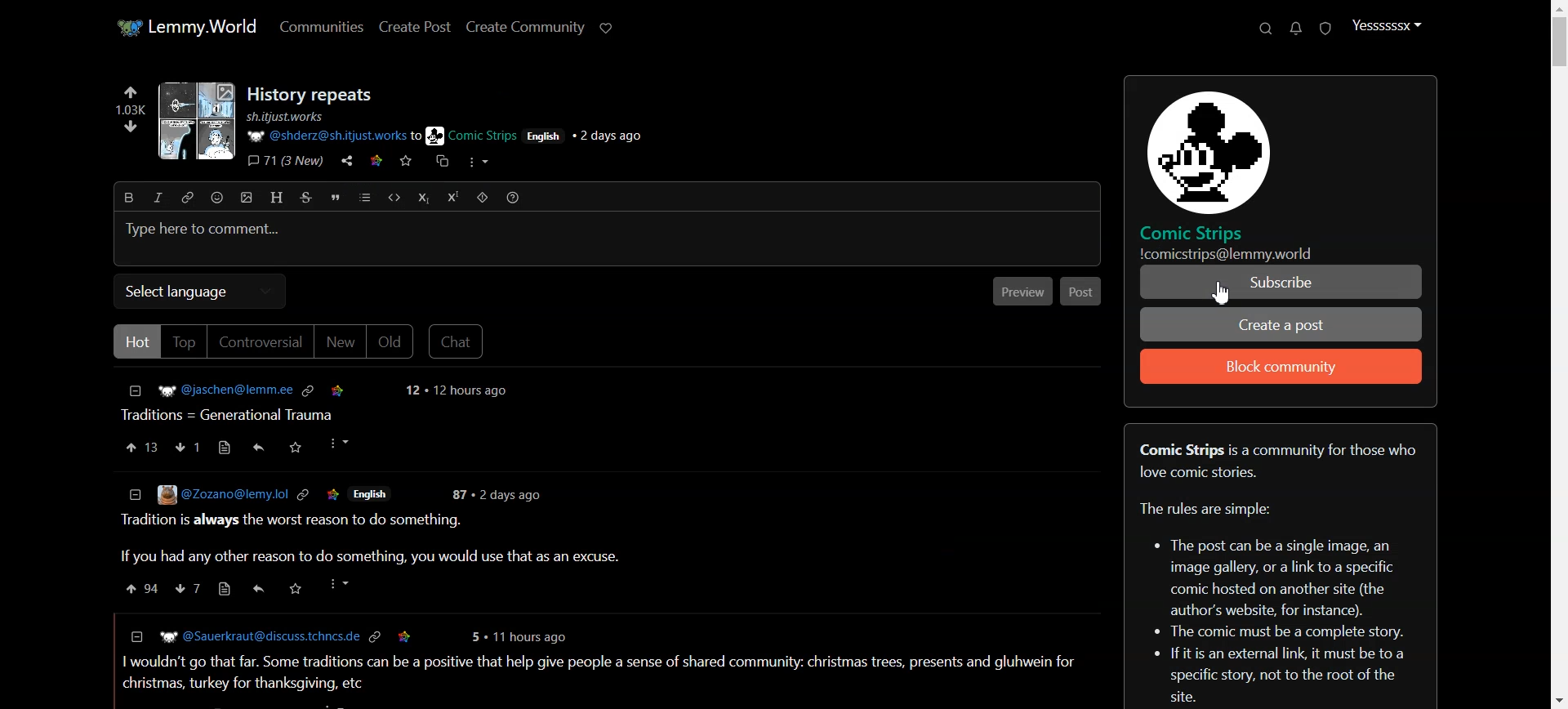 This screenshot has width=1568, height=709. What do you see at coordinates (324, 136) in the screenshot?
I see `@shderz@sh.itjust.work` at bounding box center [324, 136].